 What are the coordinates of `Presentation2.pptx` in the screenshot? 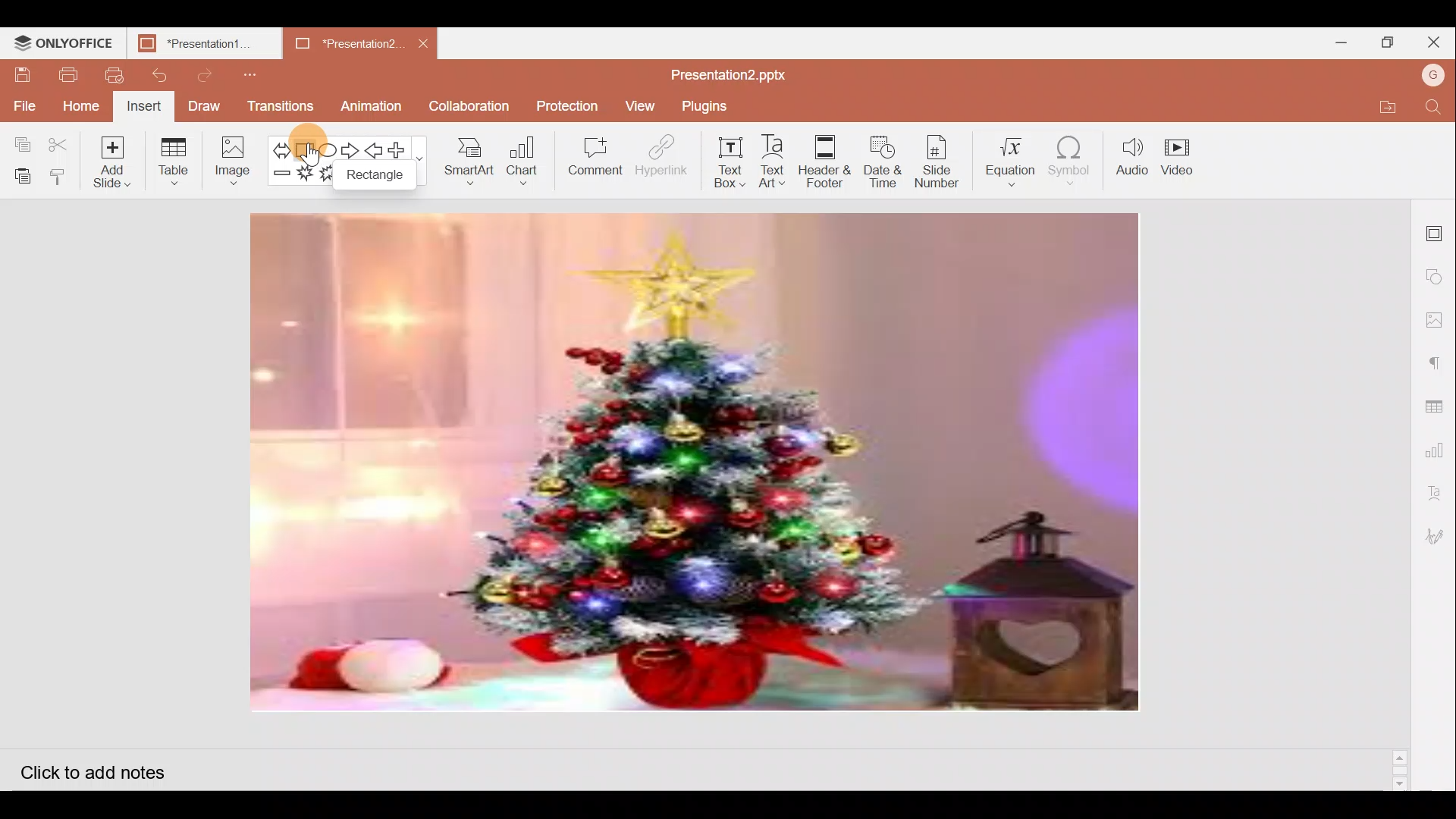 It's located at (734, 73).